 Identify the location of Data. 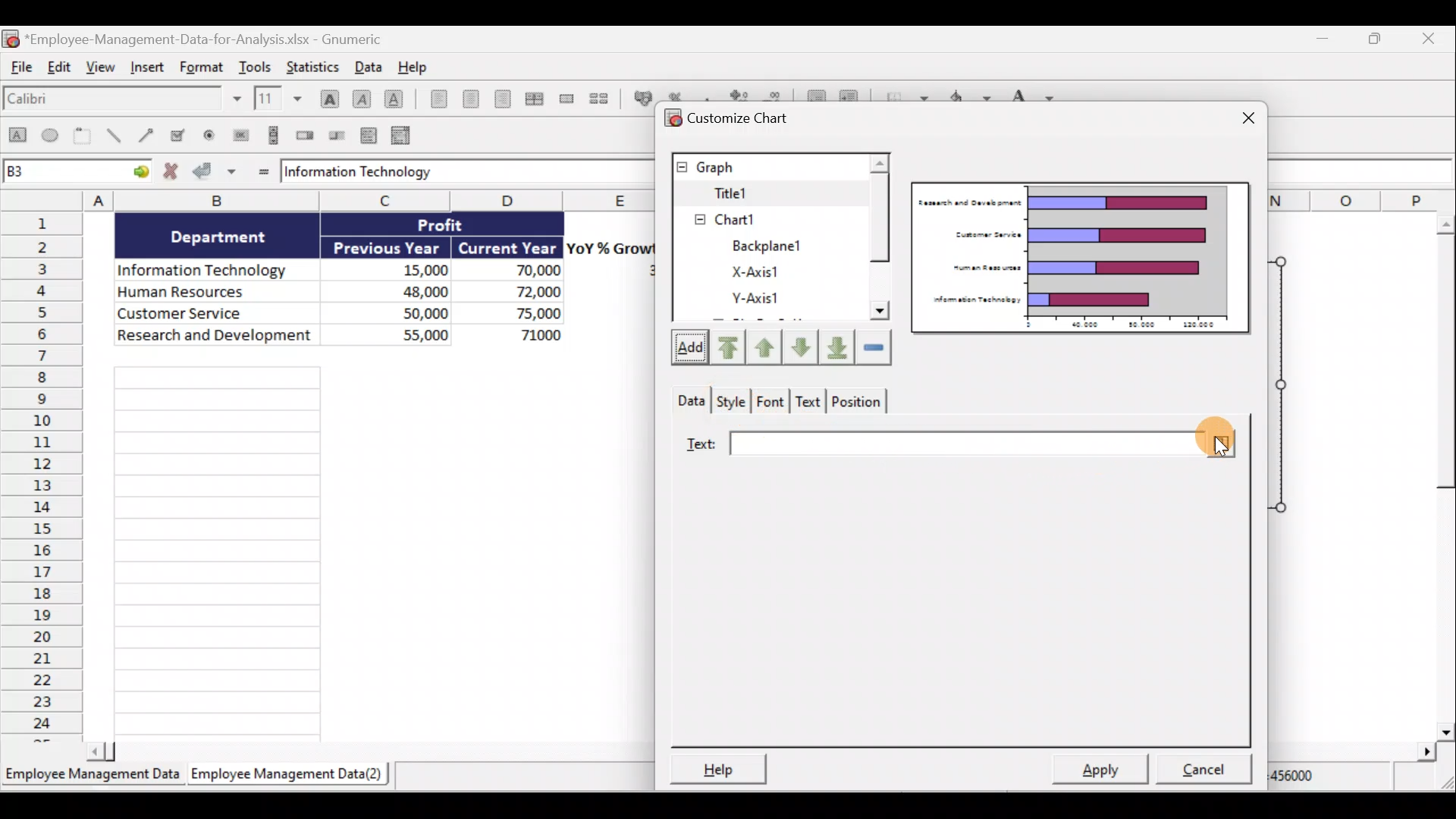
(688, 399).